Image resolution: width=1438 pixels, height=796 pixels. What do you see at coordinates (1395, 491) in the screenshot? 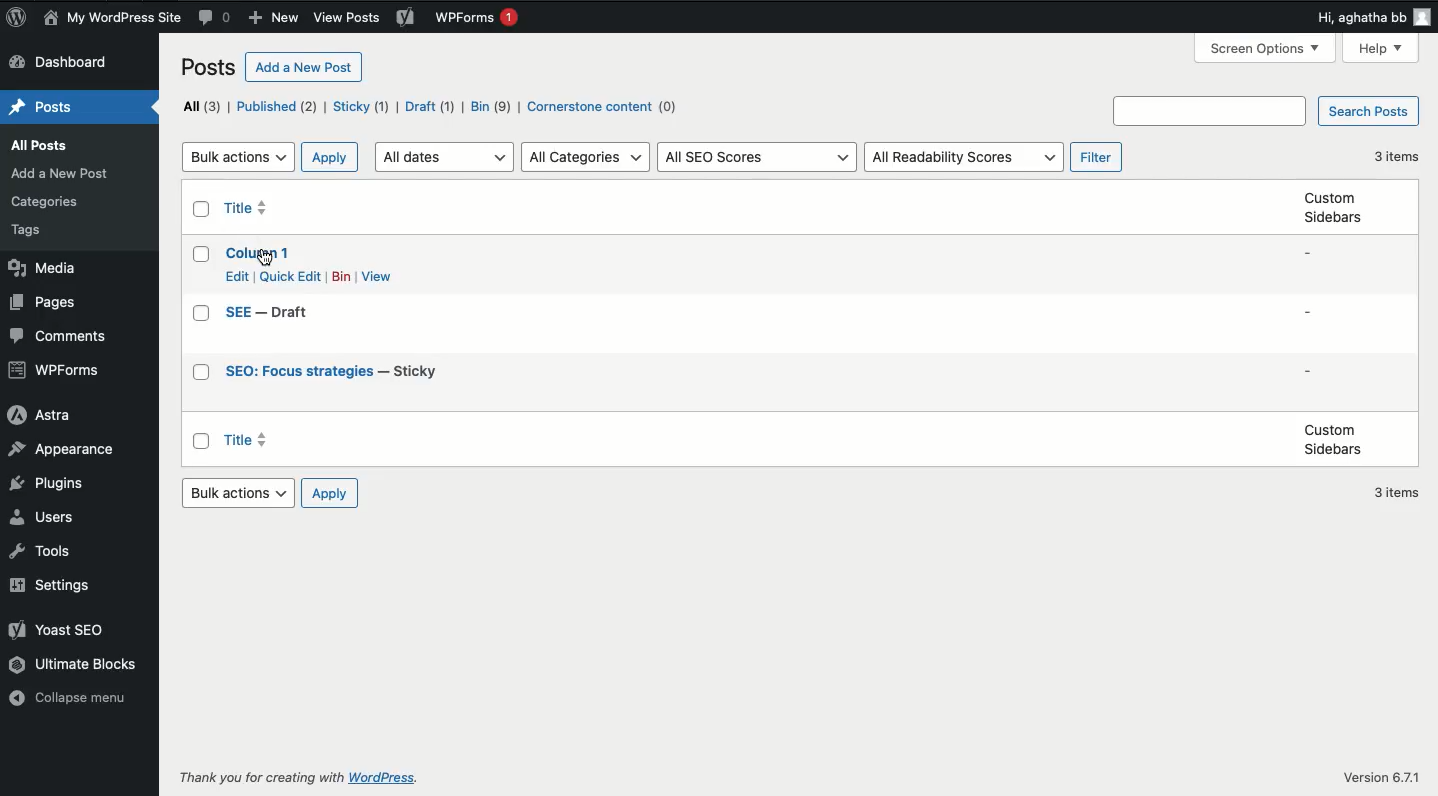
I see `3 items` at bounding box center [1395, 491].